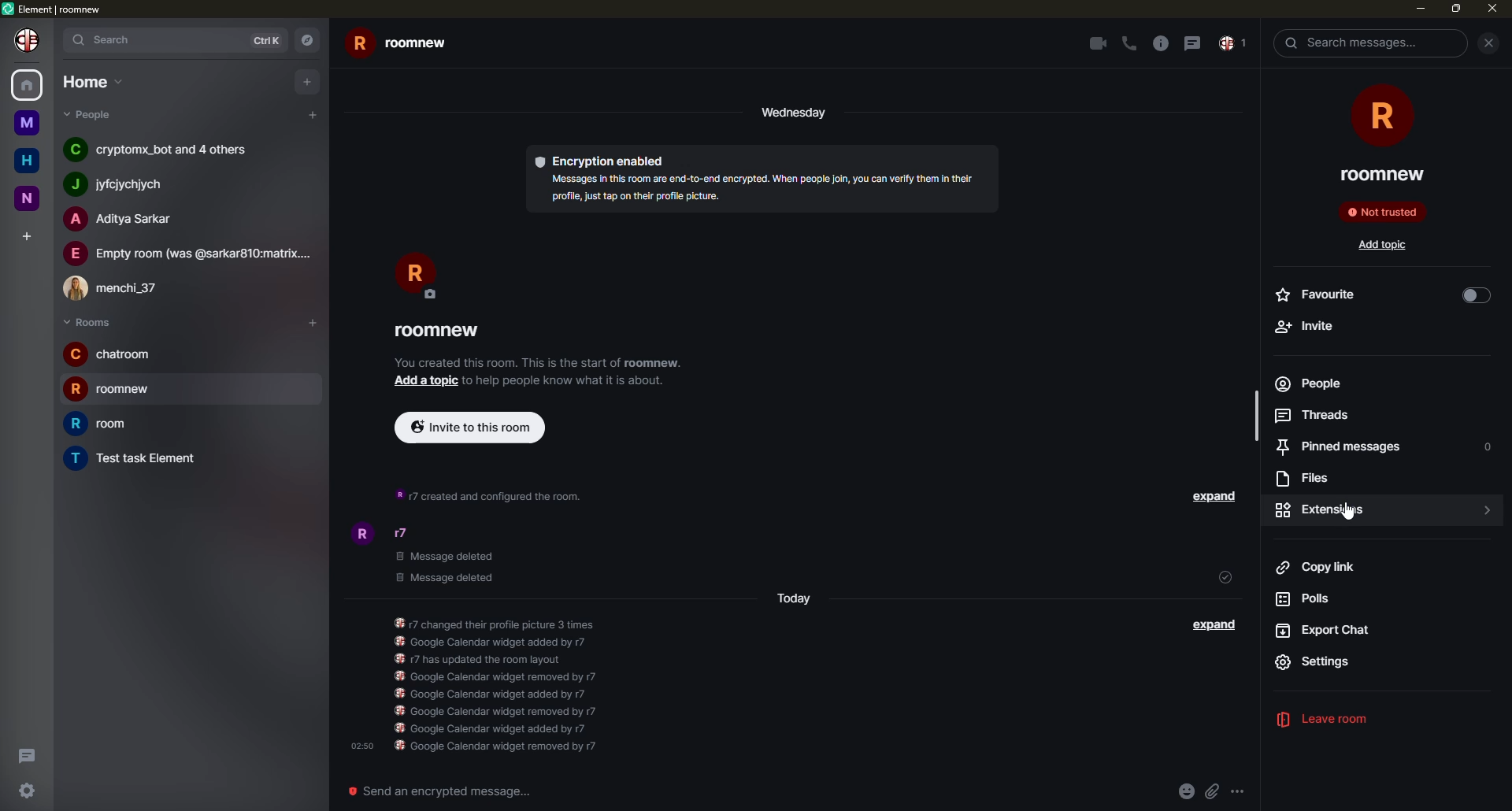  Describe the element at coordinates (1384, 509) in the screenshot. I see `click` at that location.